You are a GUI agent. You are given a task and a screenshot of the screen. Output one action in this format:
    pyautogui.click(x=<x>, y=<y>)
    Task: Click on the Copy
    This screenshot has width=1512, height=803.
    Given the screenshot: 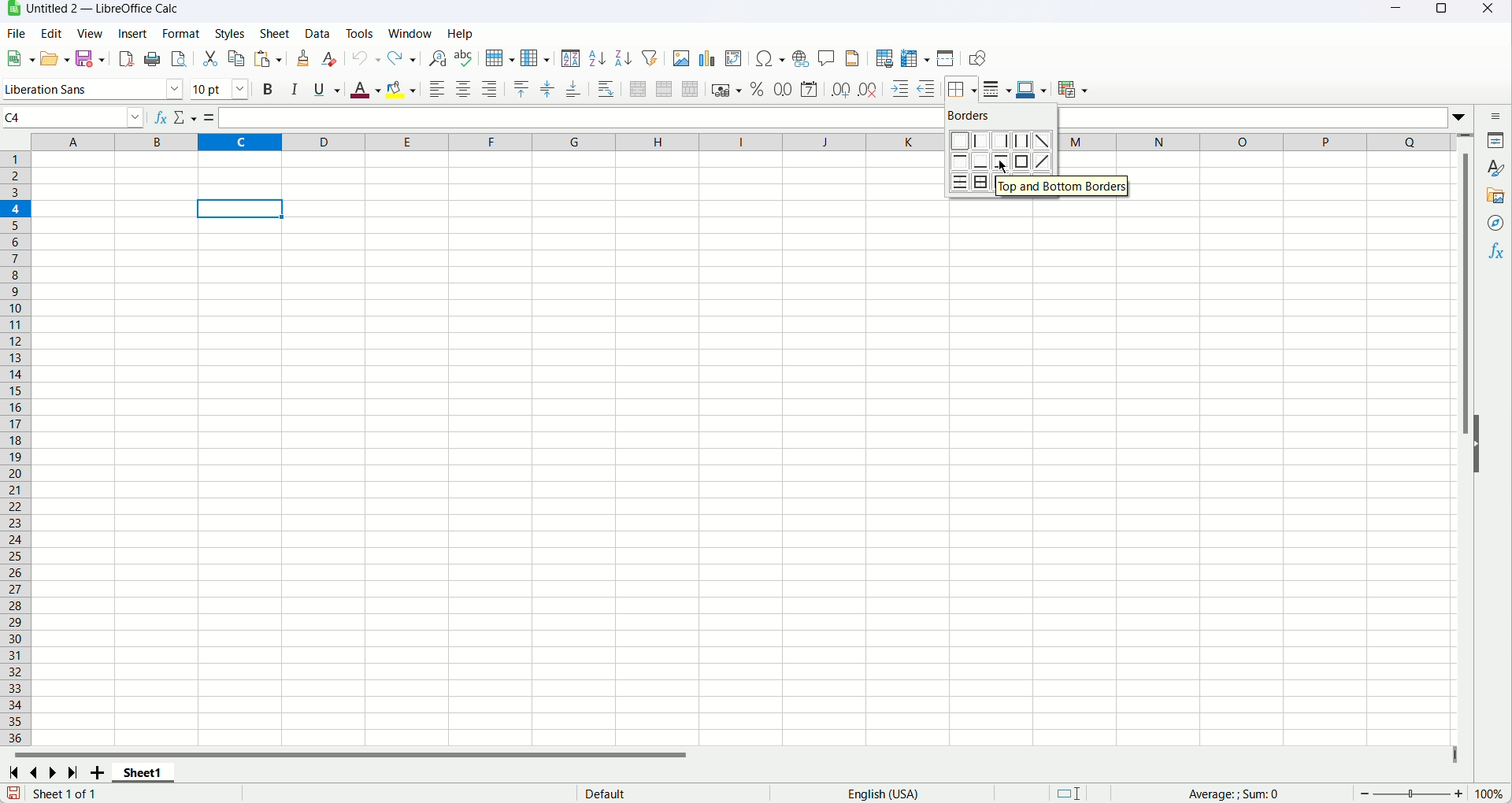 What is the action you would take?
    pyautogui.click(x=236, y=59)
    